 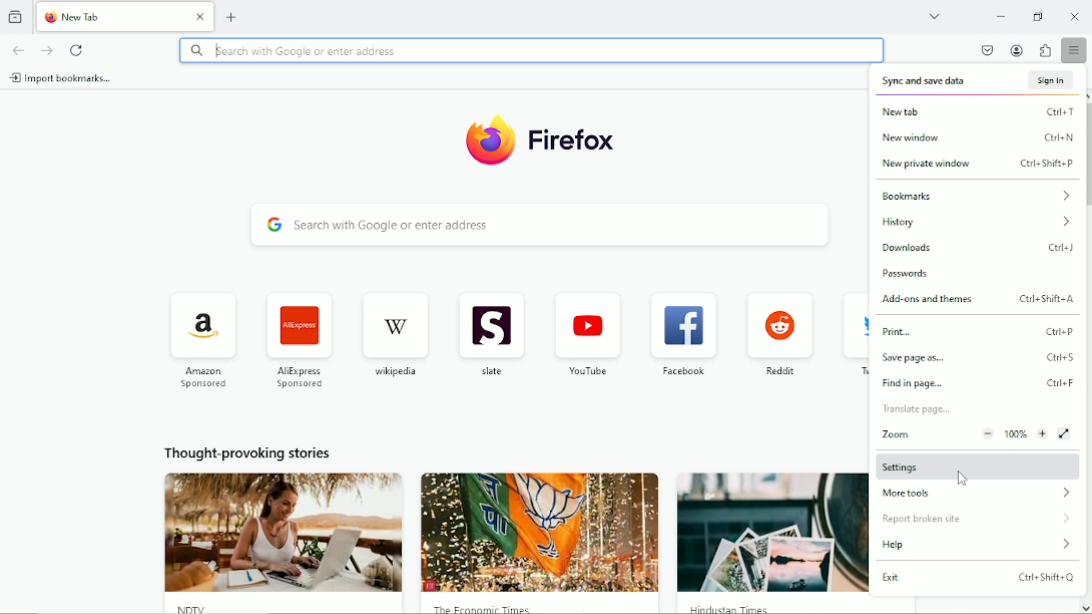 I want to click on passwords, so click(x=906, y=273).